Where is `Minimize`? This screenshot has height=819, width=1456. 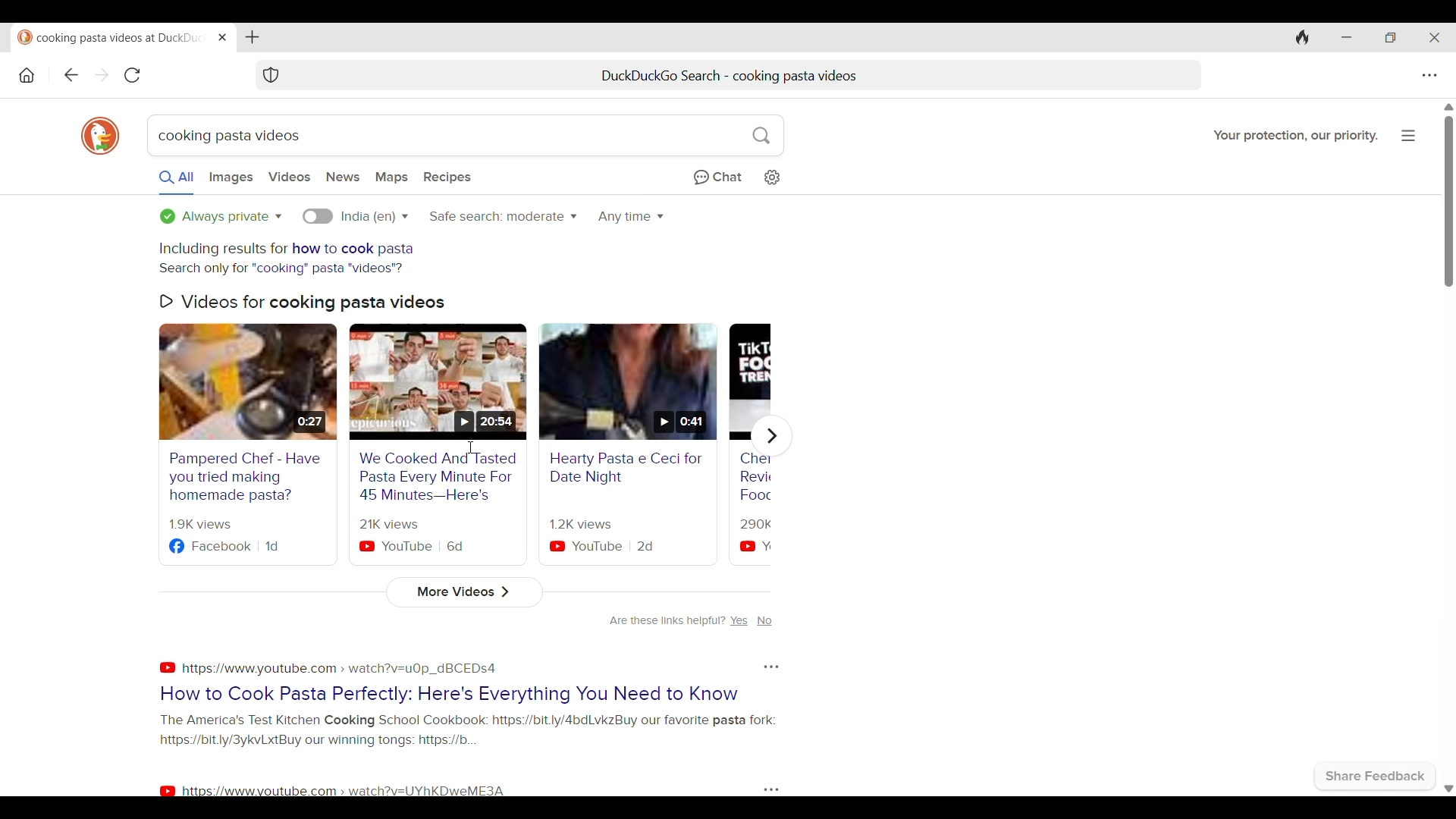
Minimize is located at coordinates (1347, 38).